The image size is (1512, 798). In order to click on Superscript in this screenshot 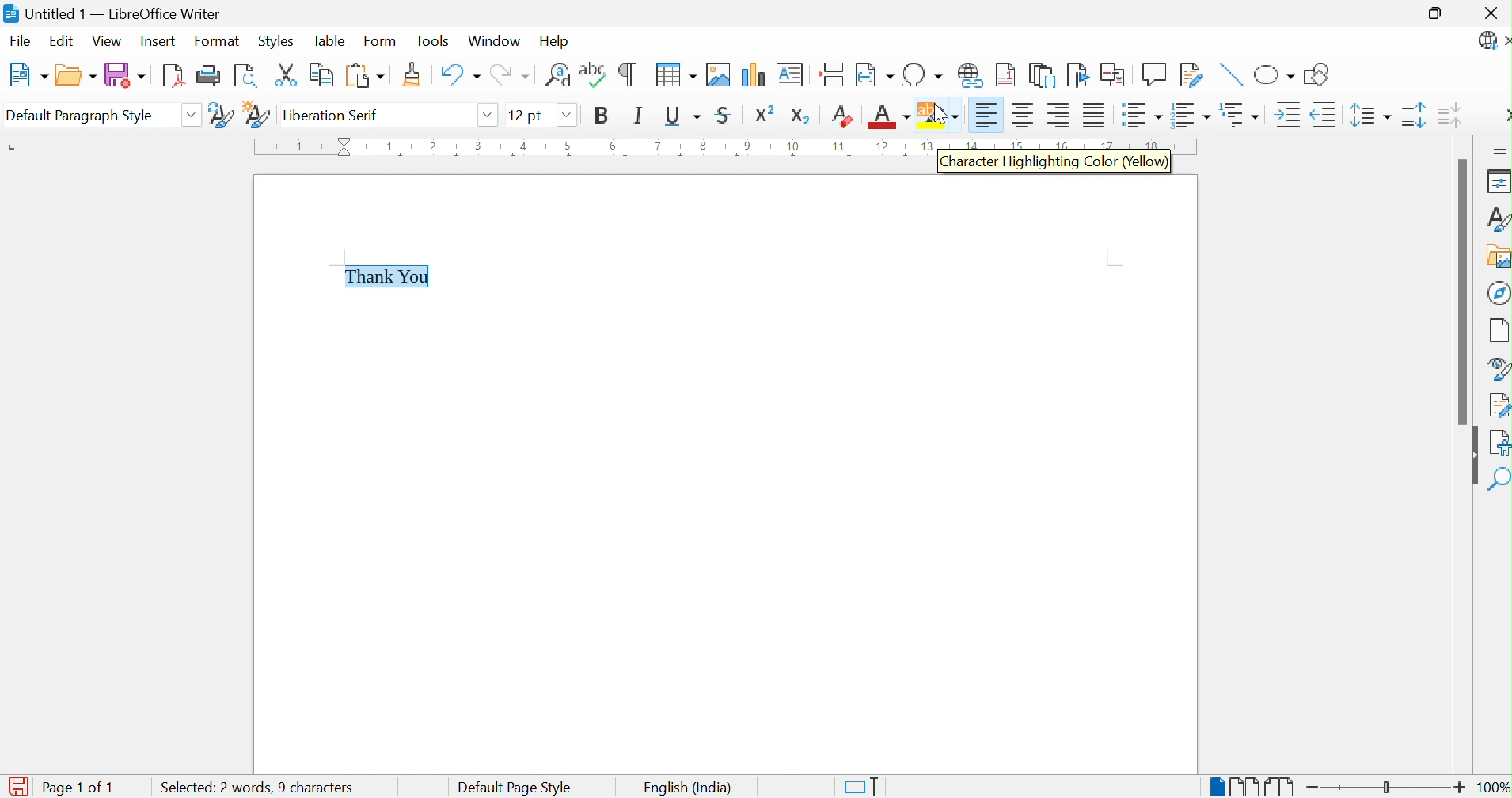, I will do `click(765, 114)`.